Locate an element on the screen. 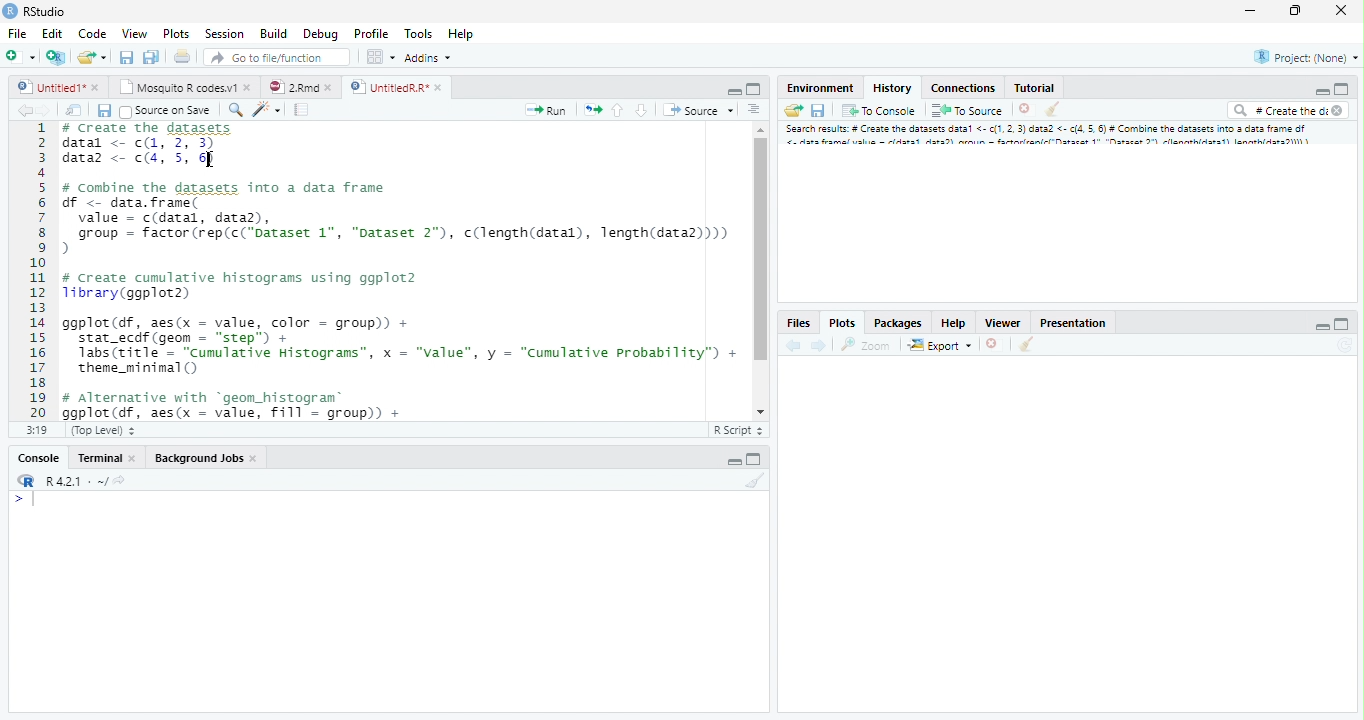 This screenshot has width=1364, height=720. Help is located at coordinates (953, 322).